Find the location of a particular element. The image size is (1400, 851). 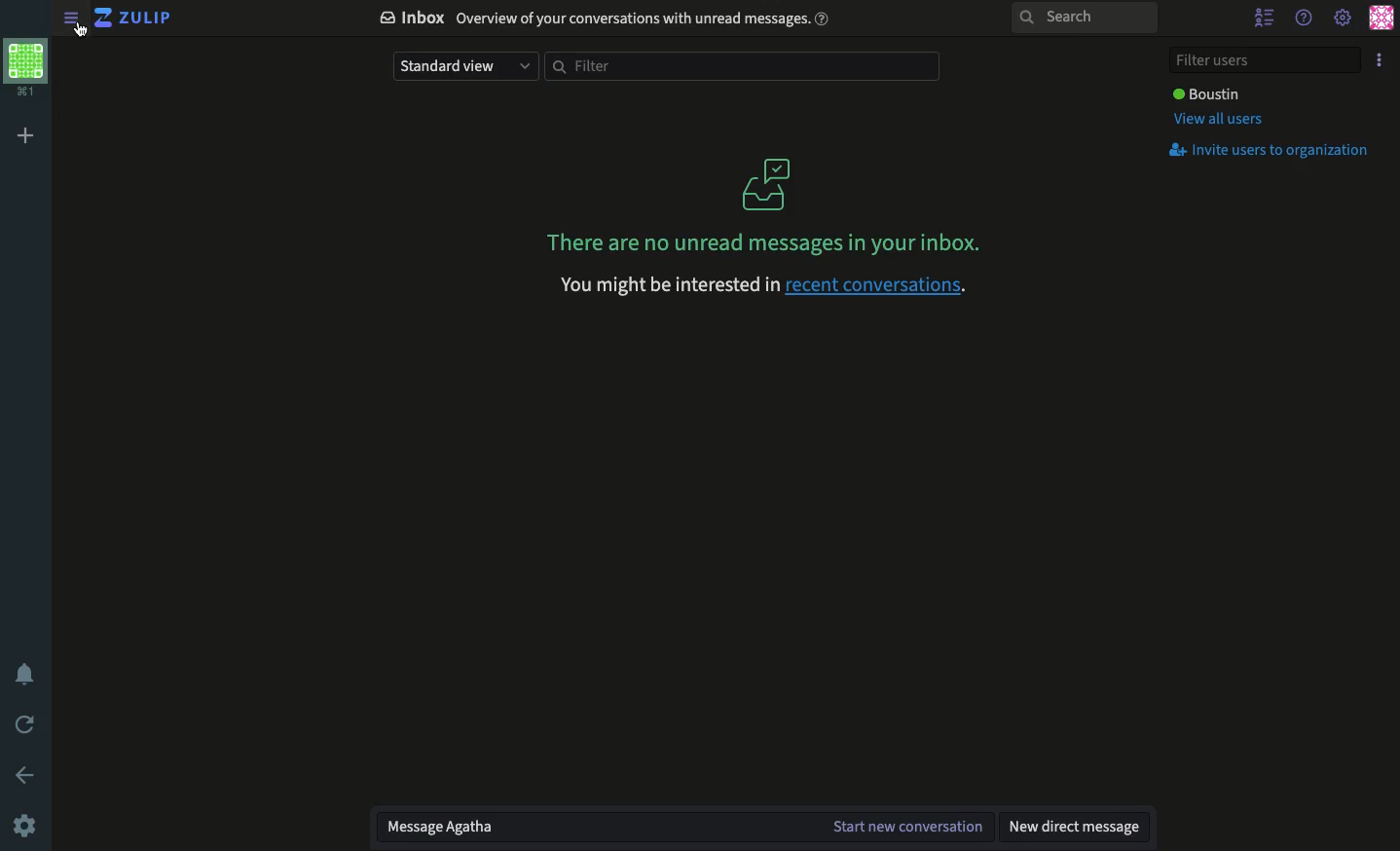

Filter users is located at coordinates (1268, 61).